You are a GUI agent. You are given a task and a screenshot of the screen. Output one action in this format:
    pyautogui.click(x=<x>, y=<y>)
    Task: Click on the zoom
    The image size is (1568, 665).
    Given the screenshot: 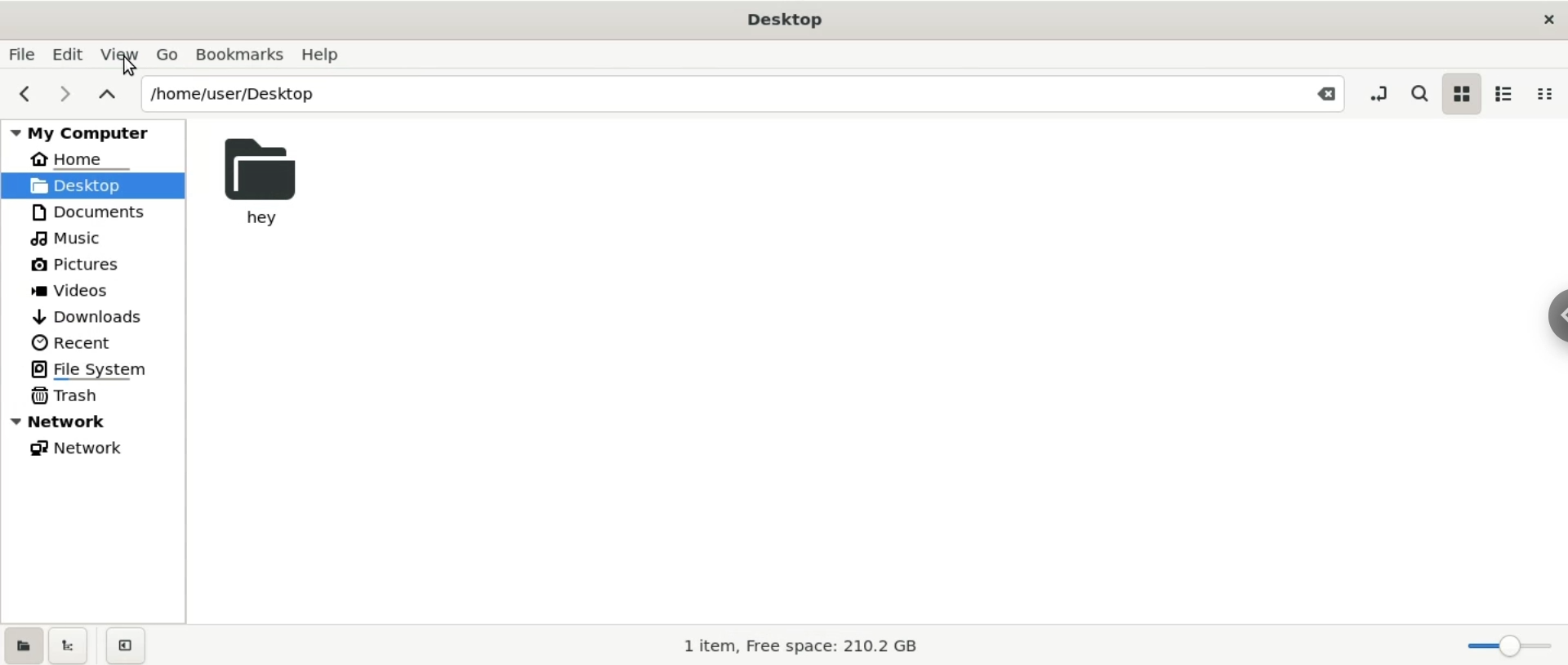 What is the action you would take?
    pyautogui.click(x=1512, y=645)
    